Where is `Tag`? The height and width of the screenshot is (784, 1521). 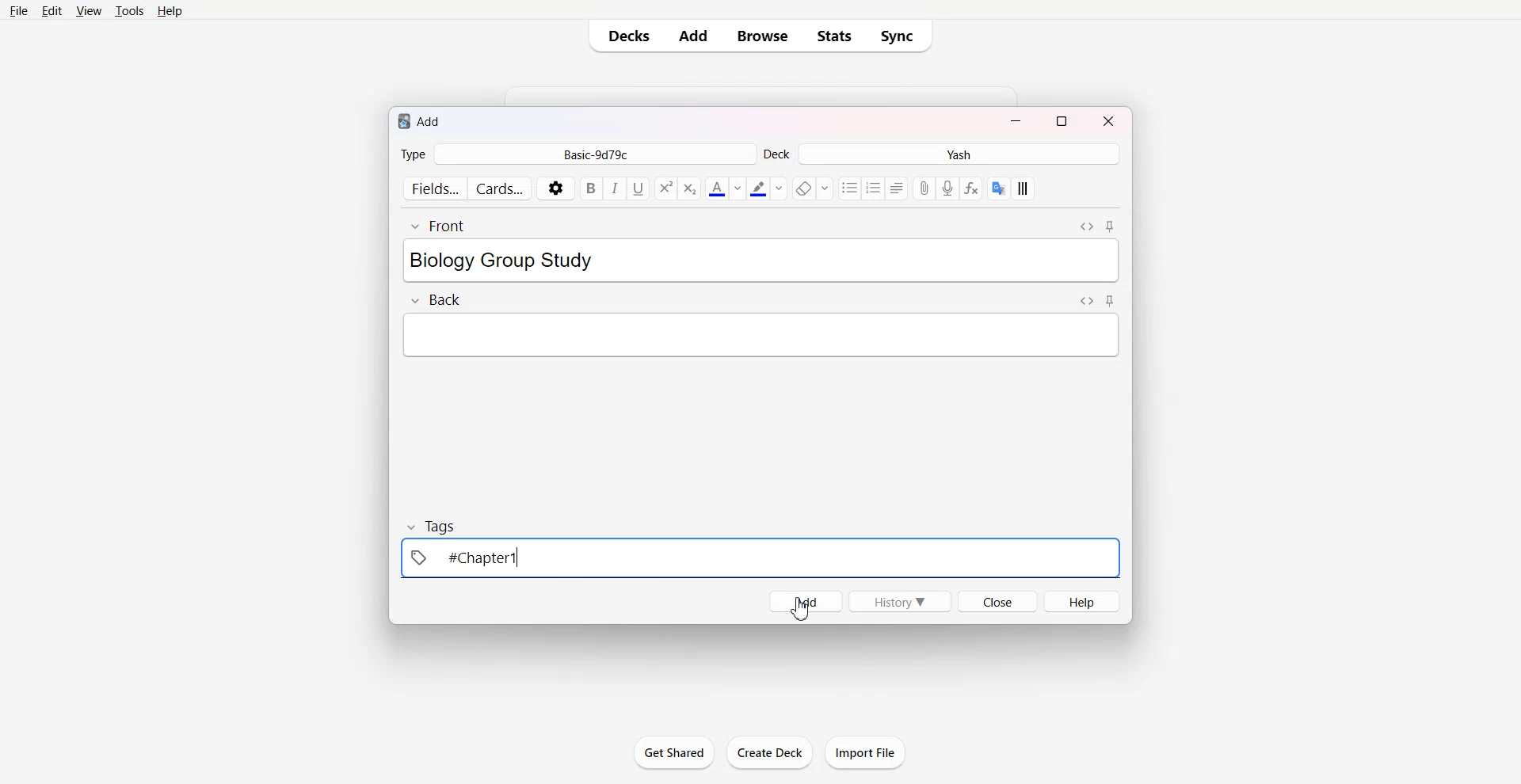 Tag is located at coordinates (433, 526).